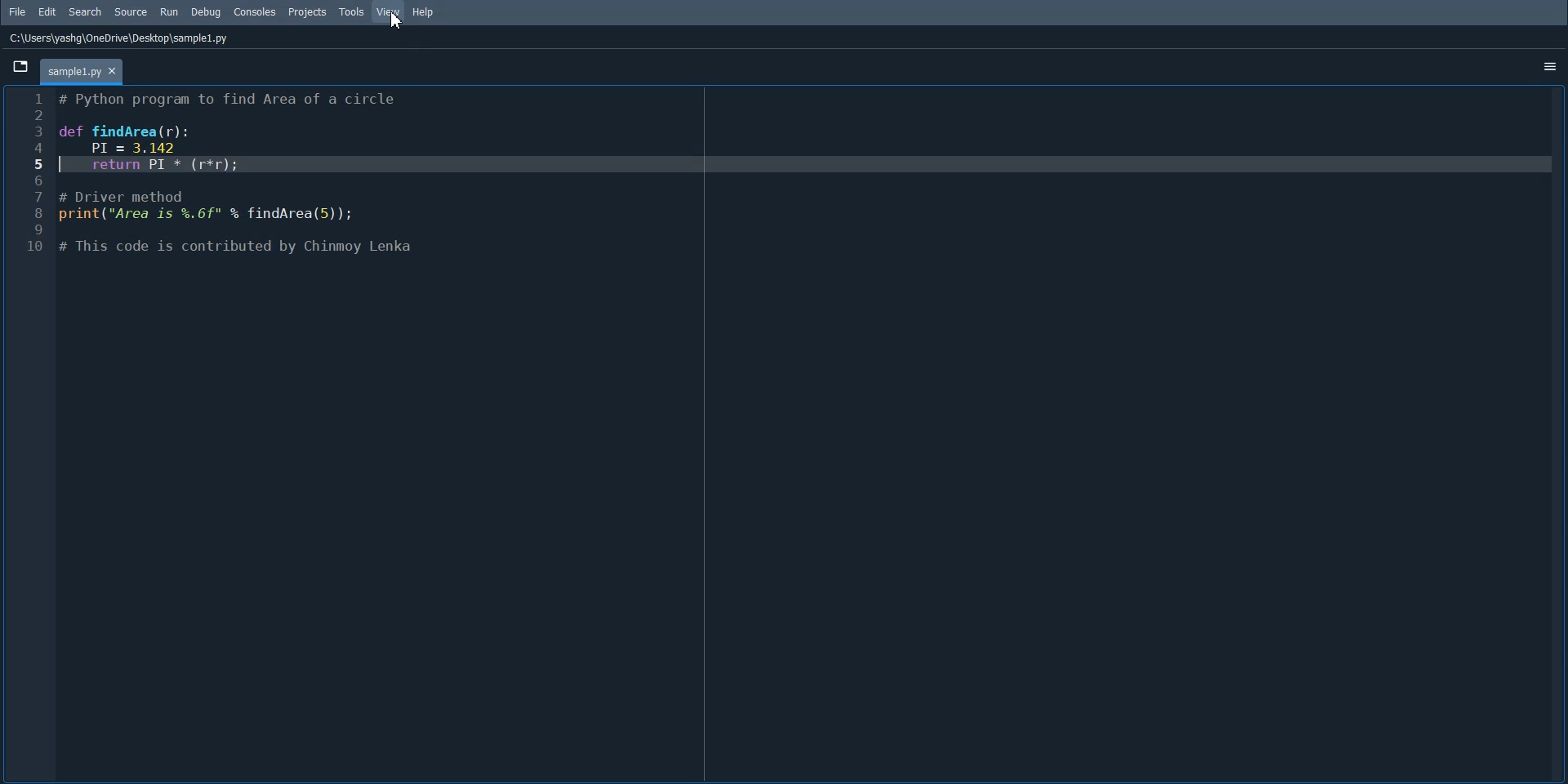  What do you see at coordinates (32, 174) in the screenshot?
I see `Line number` at bounding box center [32, 174].